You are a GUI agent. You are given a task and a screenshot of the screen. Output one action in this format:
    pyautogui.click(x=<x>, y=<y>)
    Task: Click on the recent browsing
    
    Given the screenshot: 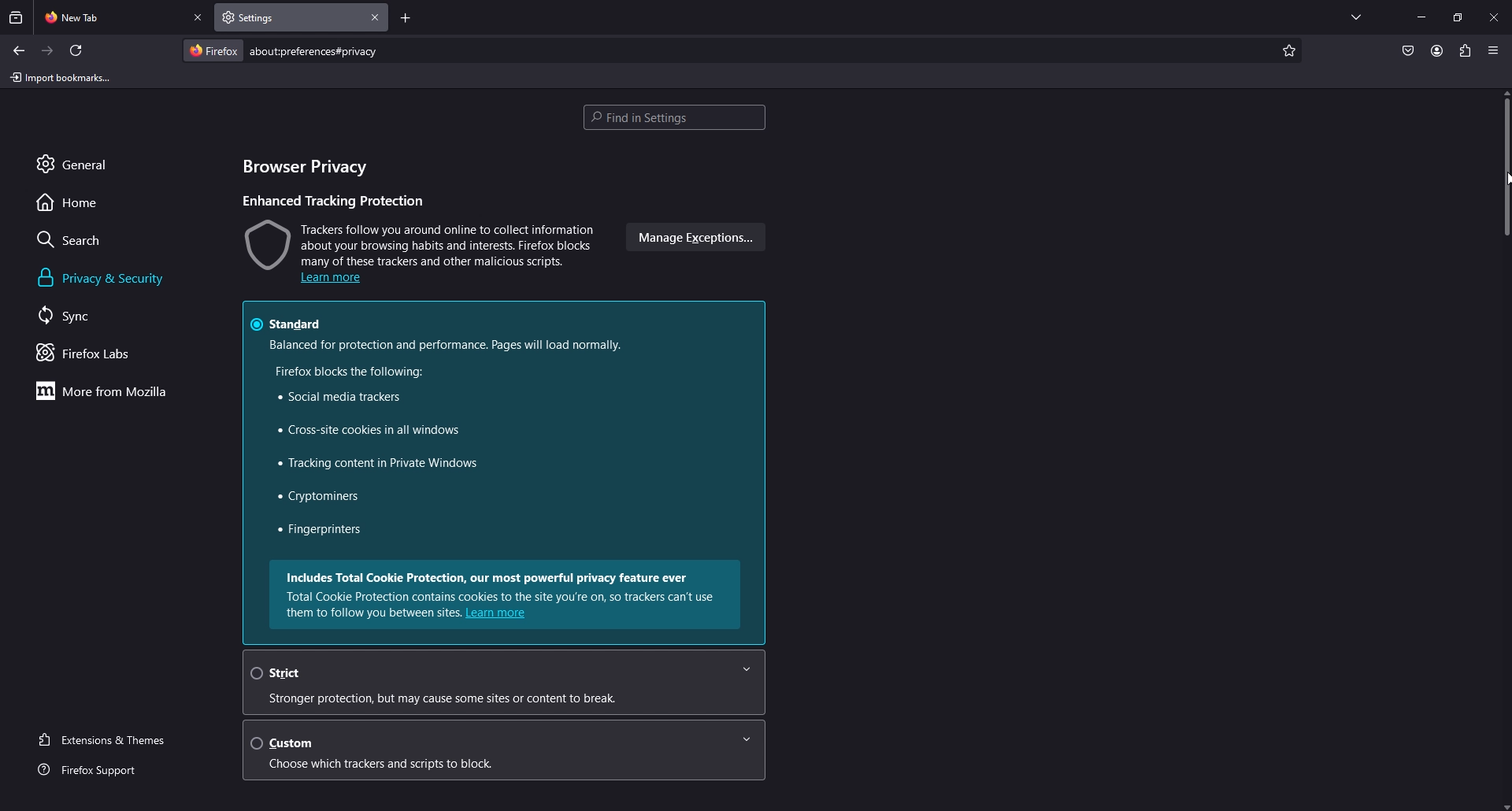 What is the action you would take?
    pyautogui.click(x=17, y=17)
    